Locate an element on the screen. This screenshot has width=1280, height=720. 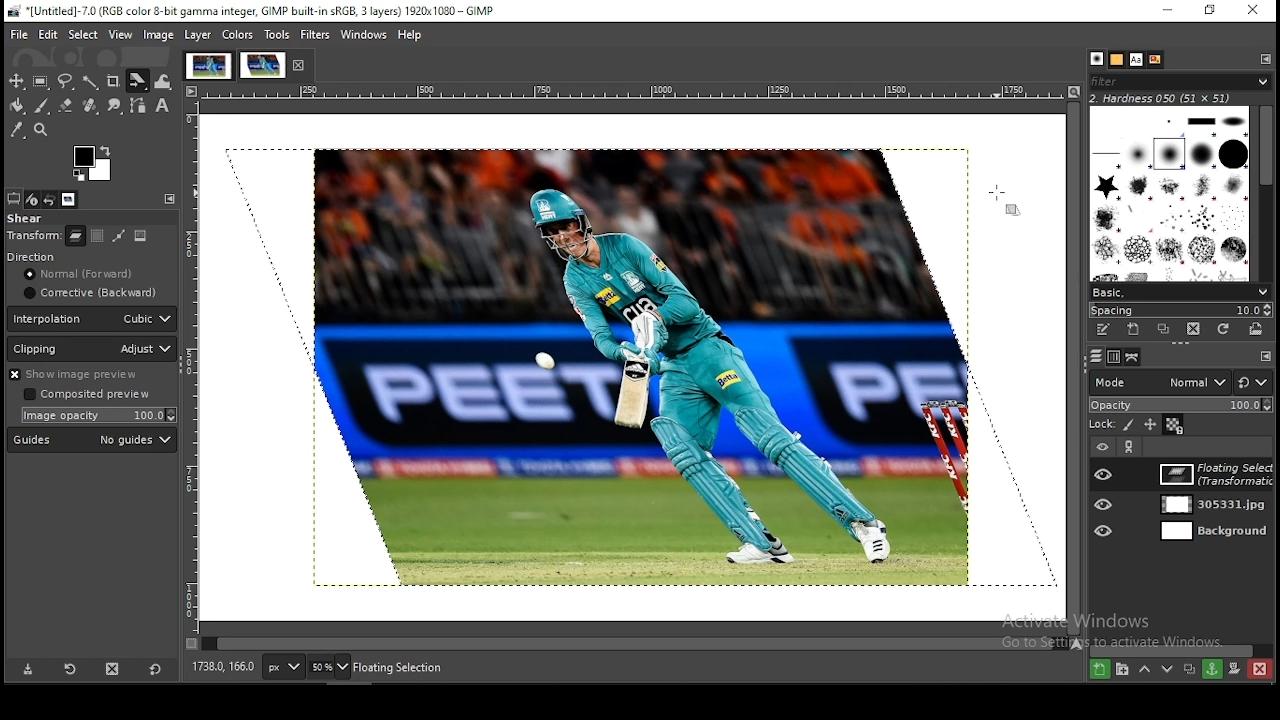
scroll bar is located at coordinates (1265, 191).